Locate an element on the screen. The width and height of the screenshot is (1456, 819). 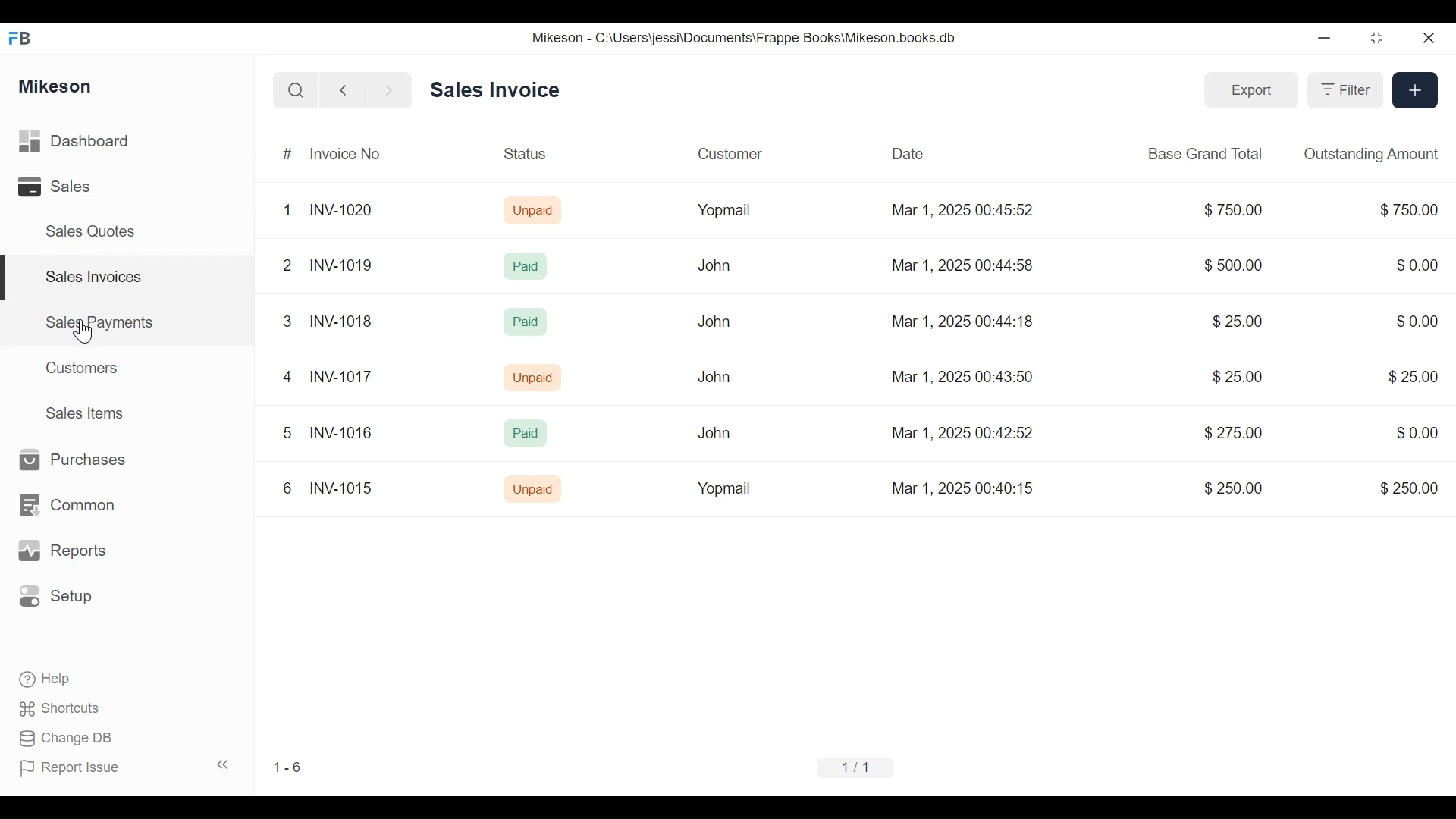
25 is located at coordinates (1407, 377).